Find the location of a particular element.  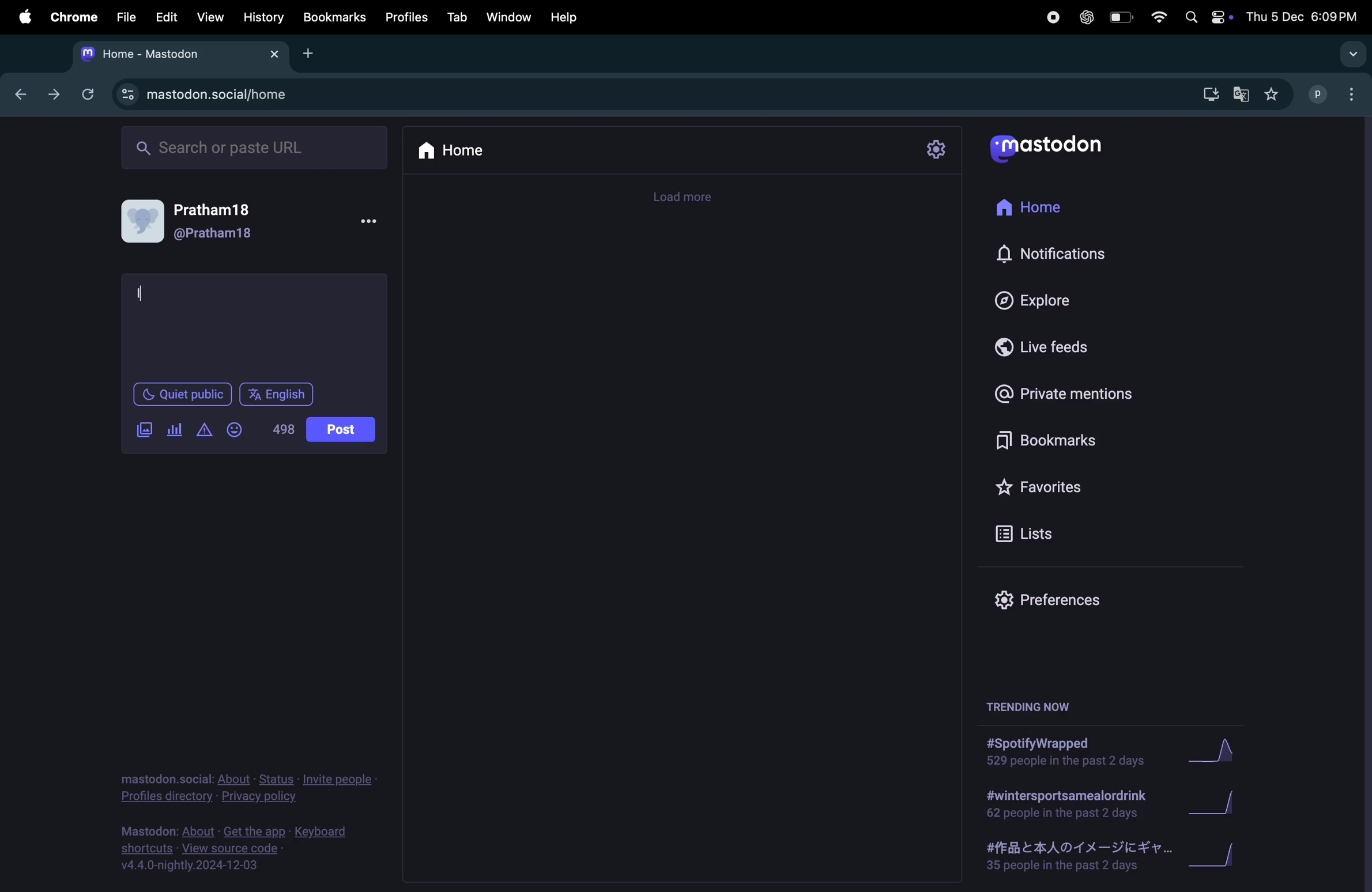

user profile is located at coordinates (201, 225).